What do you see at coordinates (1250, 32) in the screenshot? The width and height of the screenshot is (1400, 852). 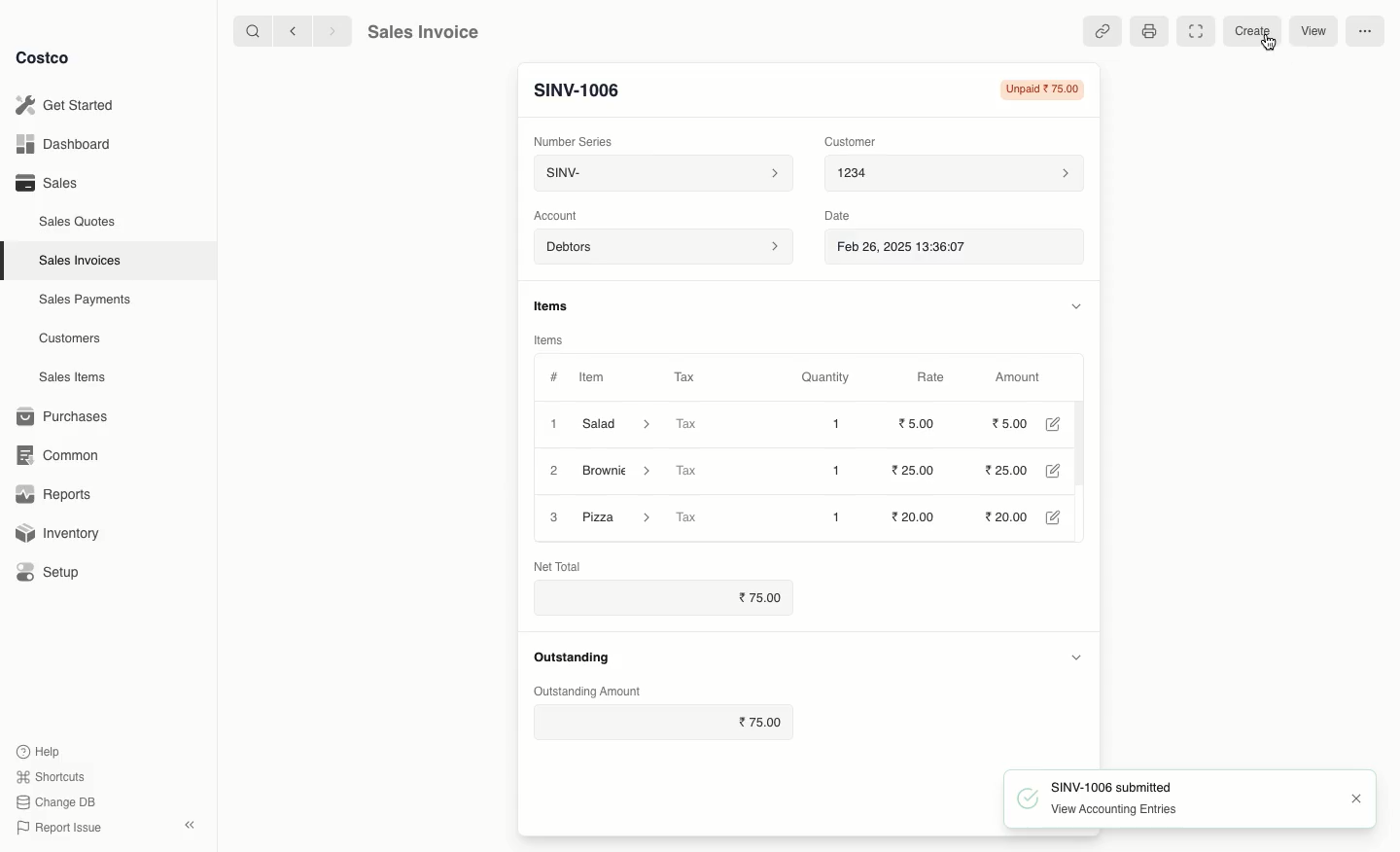 I see `Create` at bounding box center [1250, 32].